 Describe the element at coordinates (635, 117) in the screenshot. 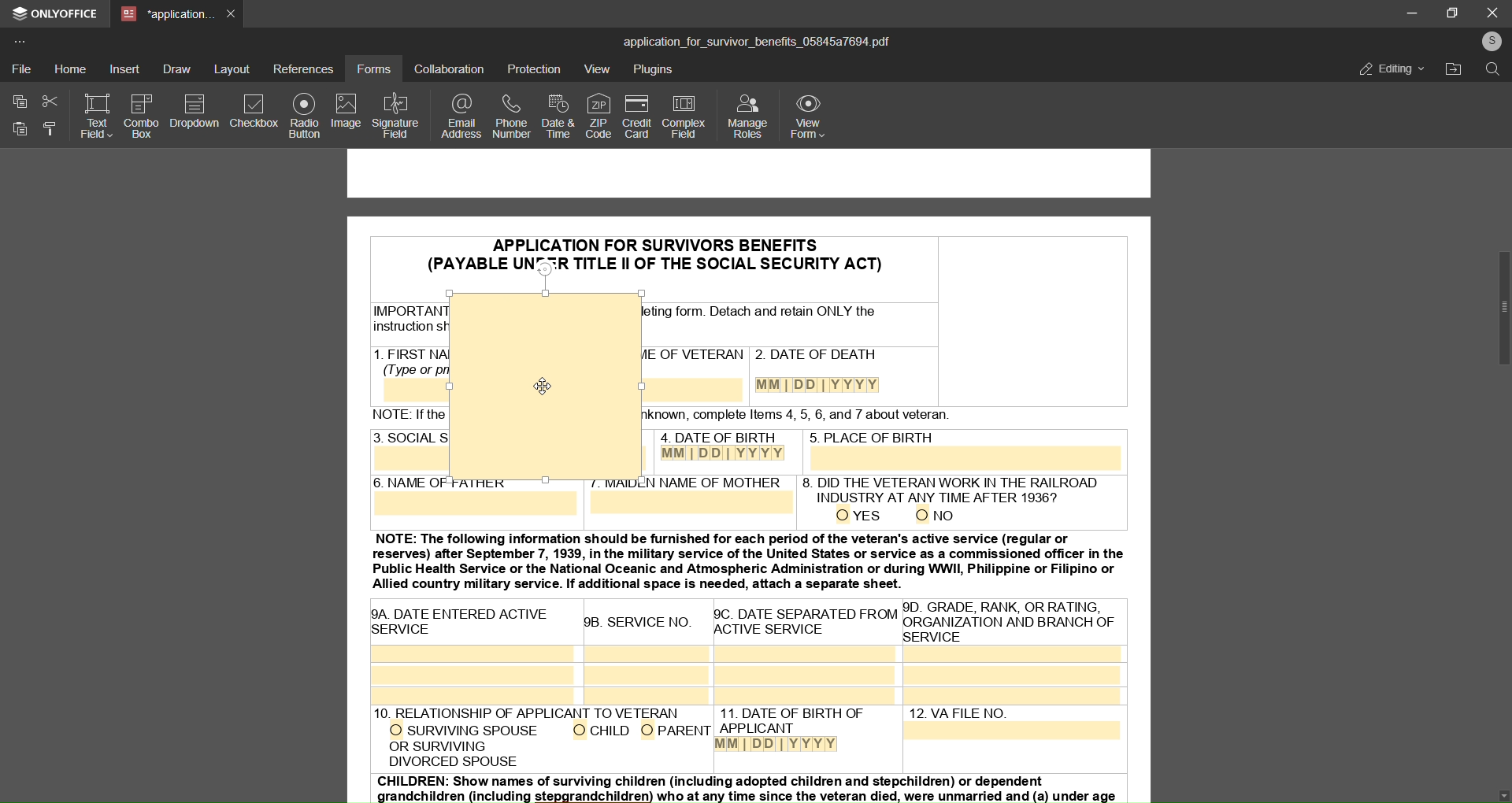

I see `credit card` at that location.